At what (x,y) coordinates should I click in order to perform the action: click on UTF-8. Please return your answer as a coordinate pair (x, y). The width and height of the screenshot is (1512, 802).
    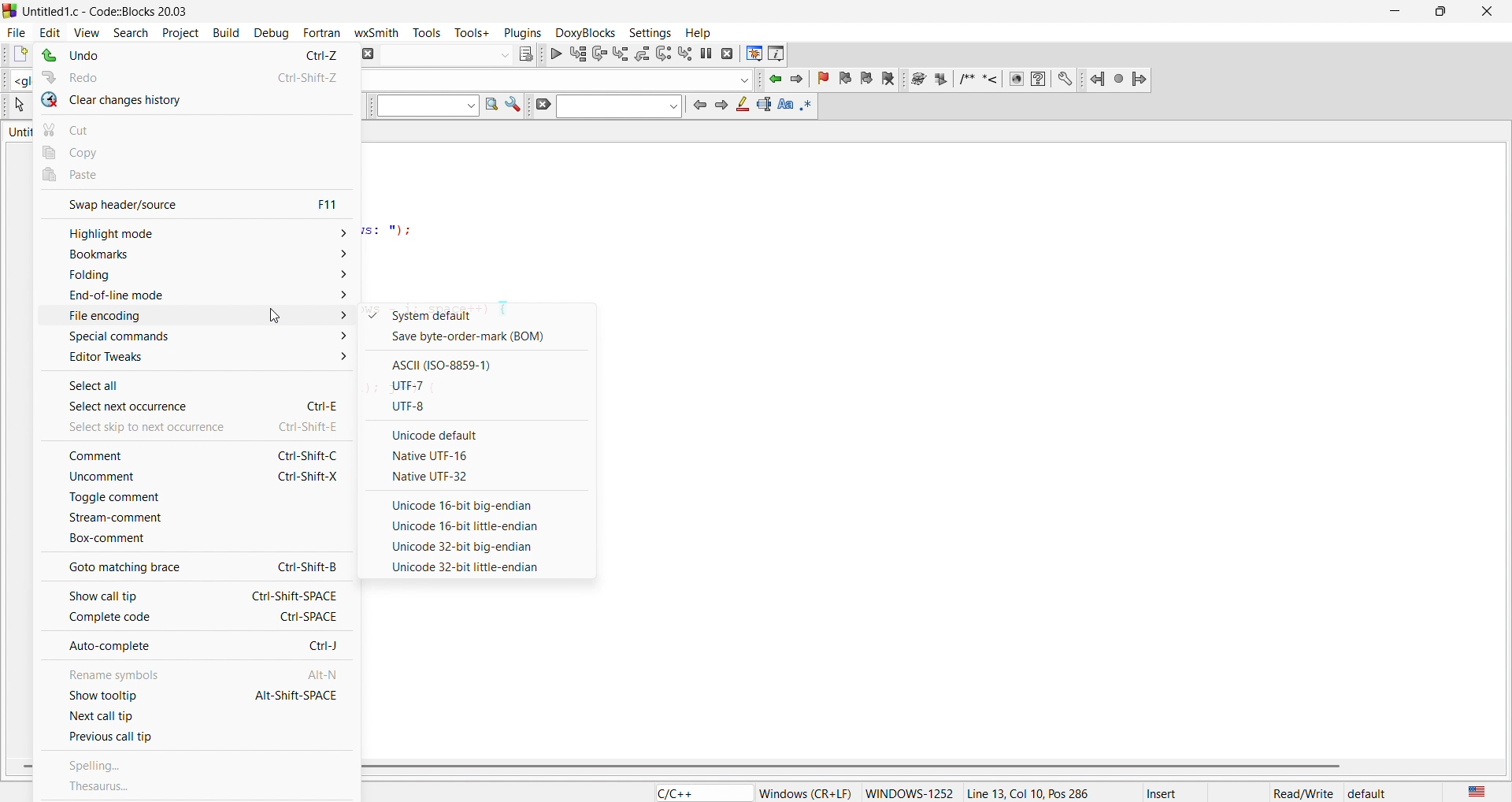
    Looking at the image, I should click on (476, 408).